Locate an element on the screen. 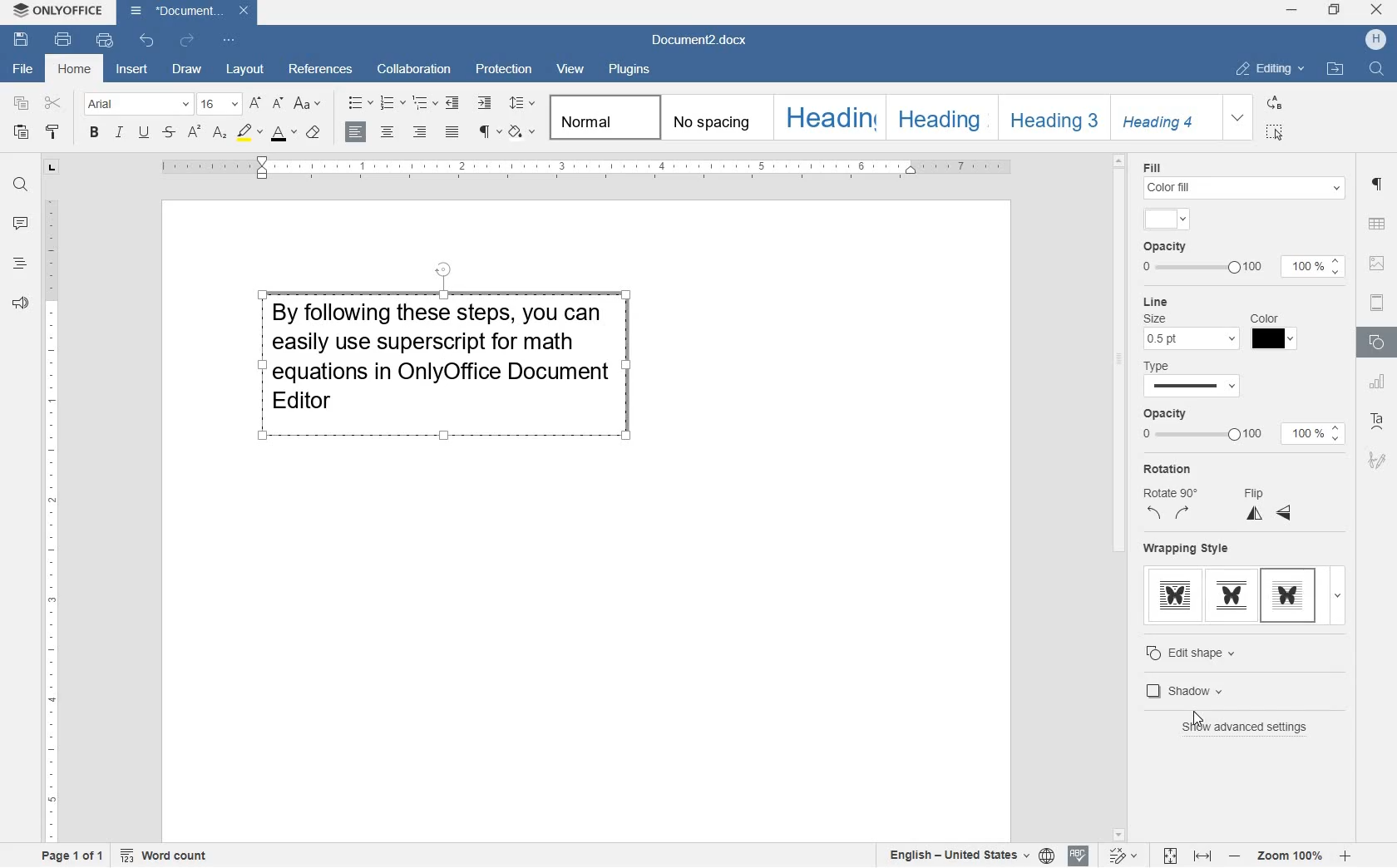 The height and width of the screenshot is (868, 1397). subscript is located at coordinates (220, 134).